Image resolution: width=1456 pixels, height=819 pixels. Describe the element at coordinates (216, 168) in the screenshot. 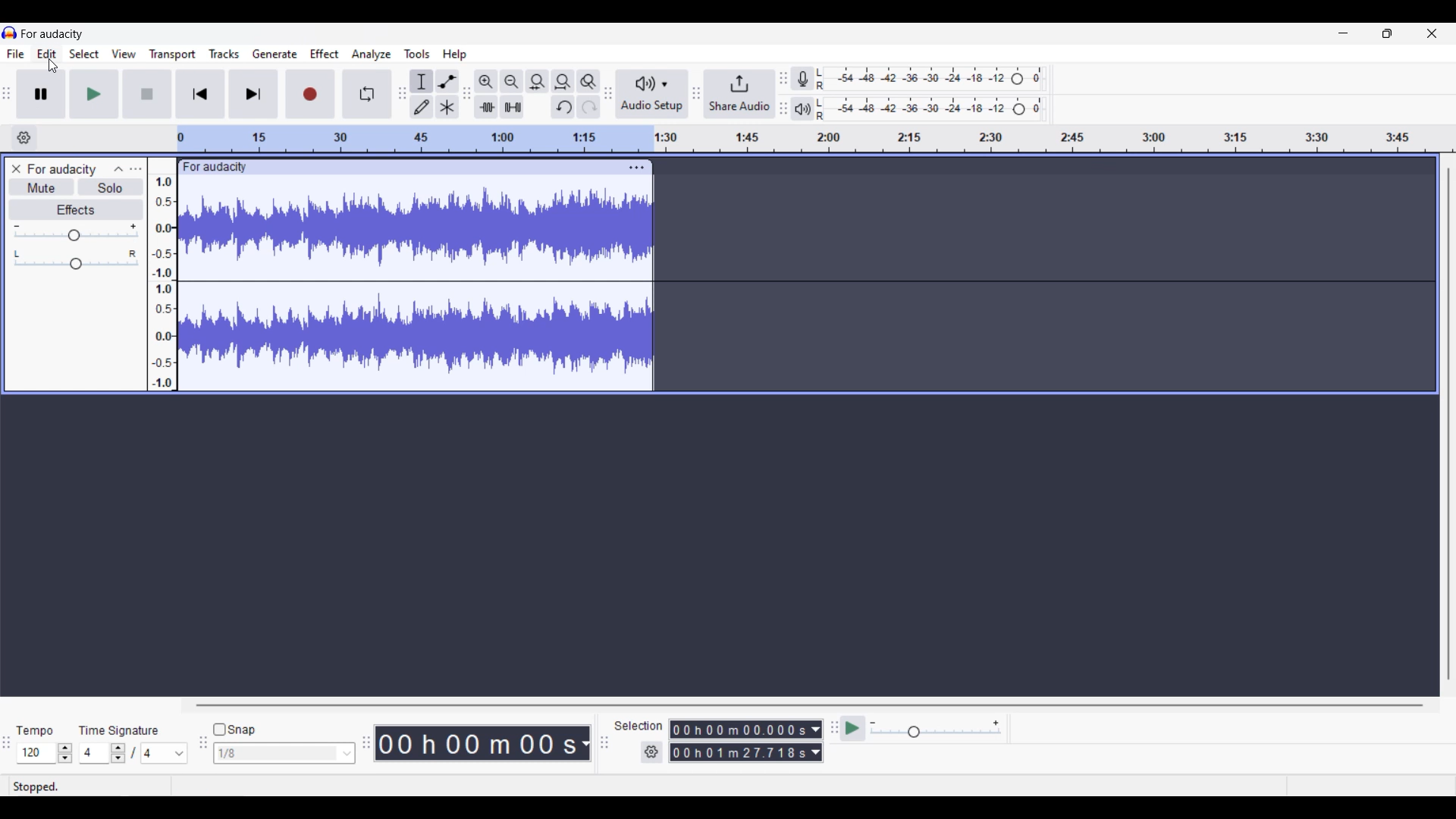

I see `for audacity` at that location.